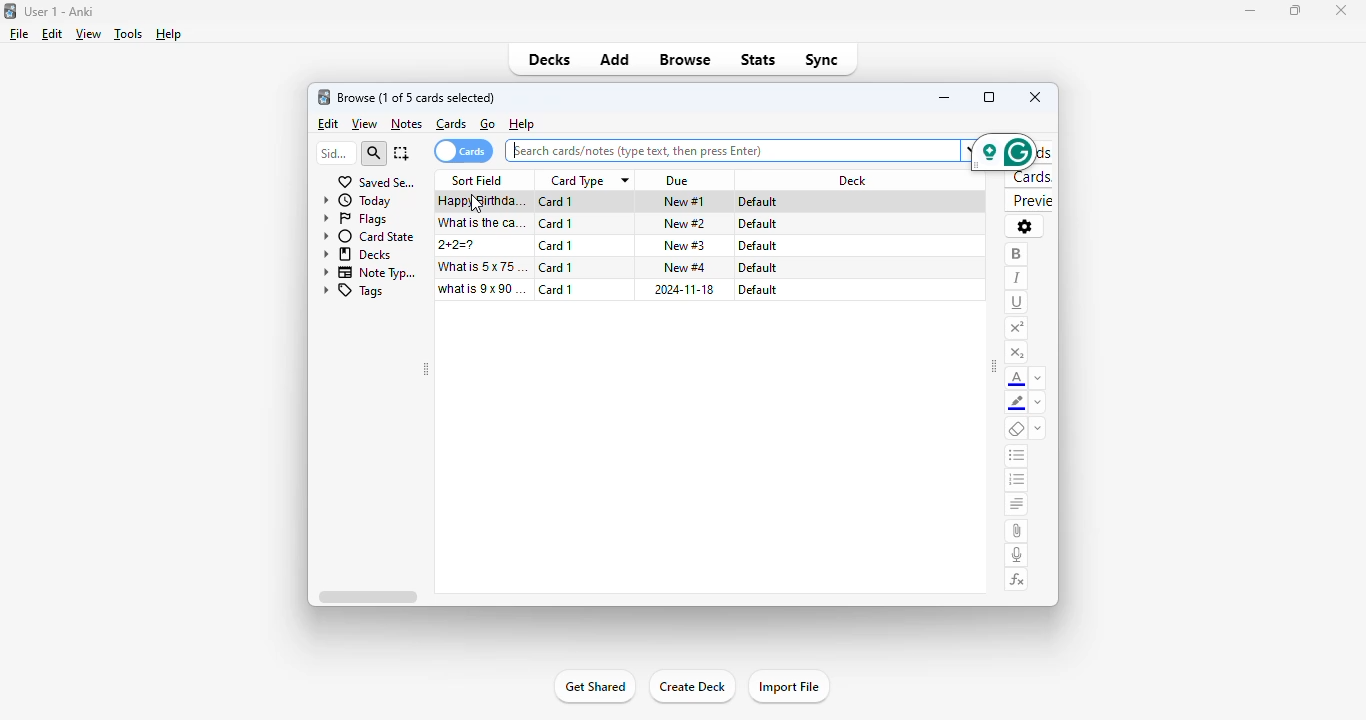 This screenshot has width=1366, height=720. Describe the element at coordinates (483, 266) in the screenshot. I see `what is 5x75=?` at that location.